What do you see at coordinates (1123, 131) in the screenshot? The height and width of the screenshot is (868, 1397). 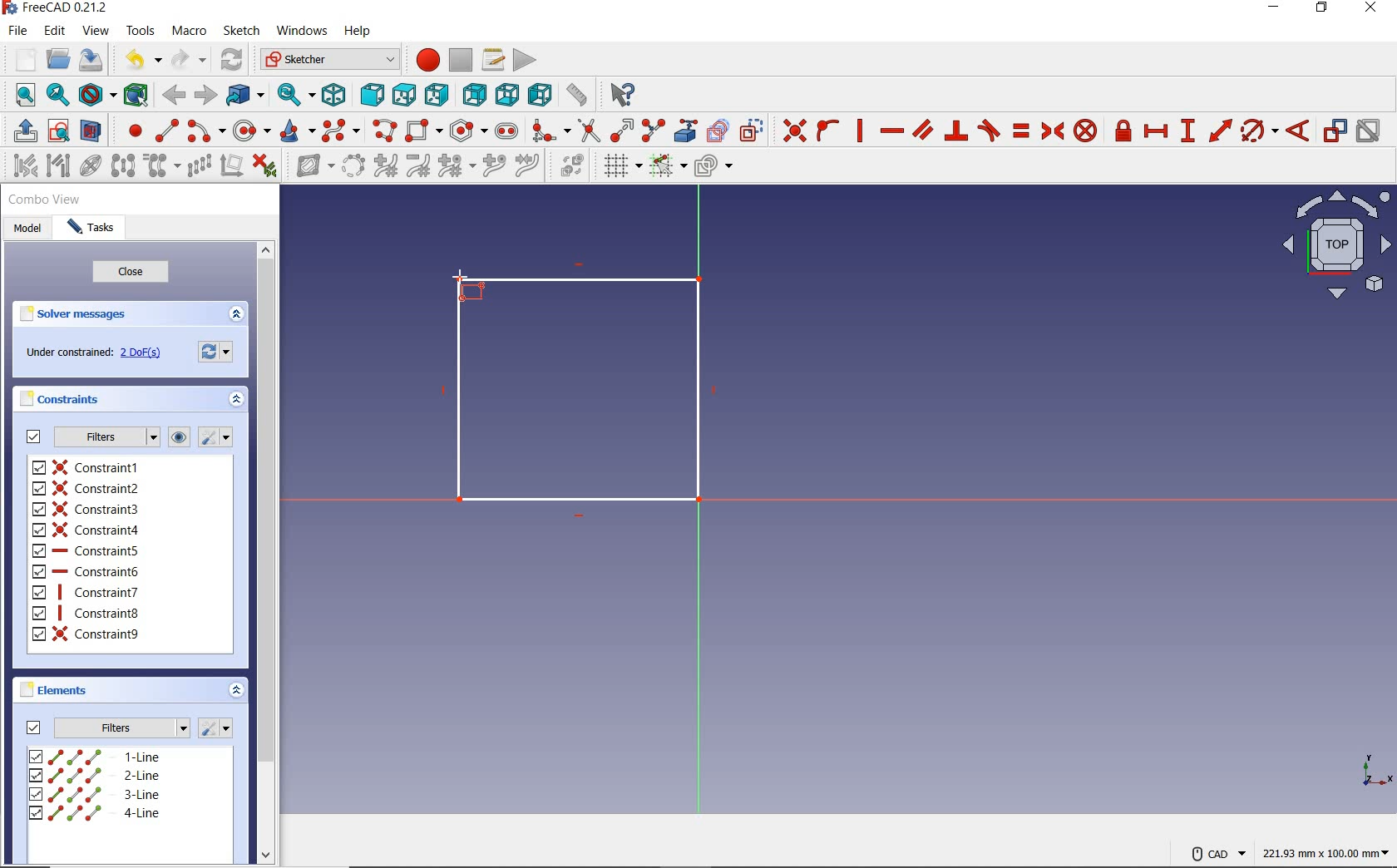 I see `constrain lock` at bounding box center [1123, 131].